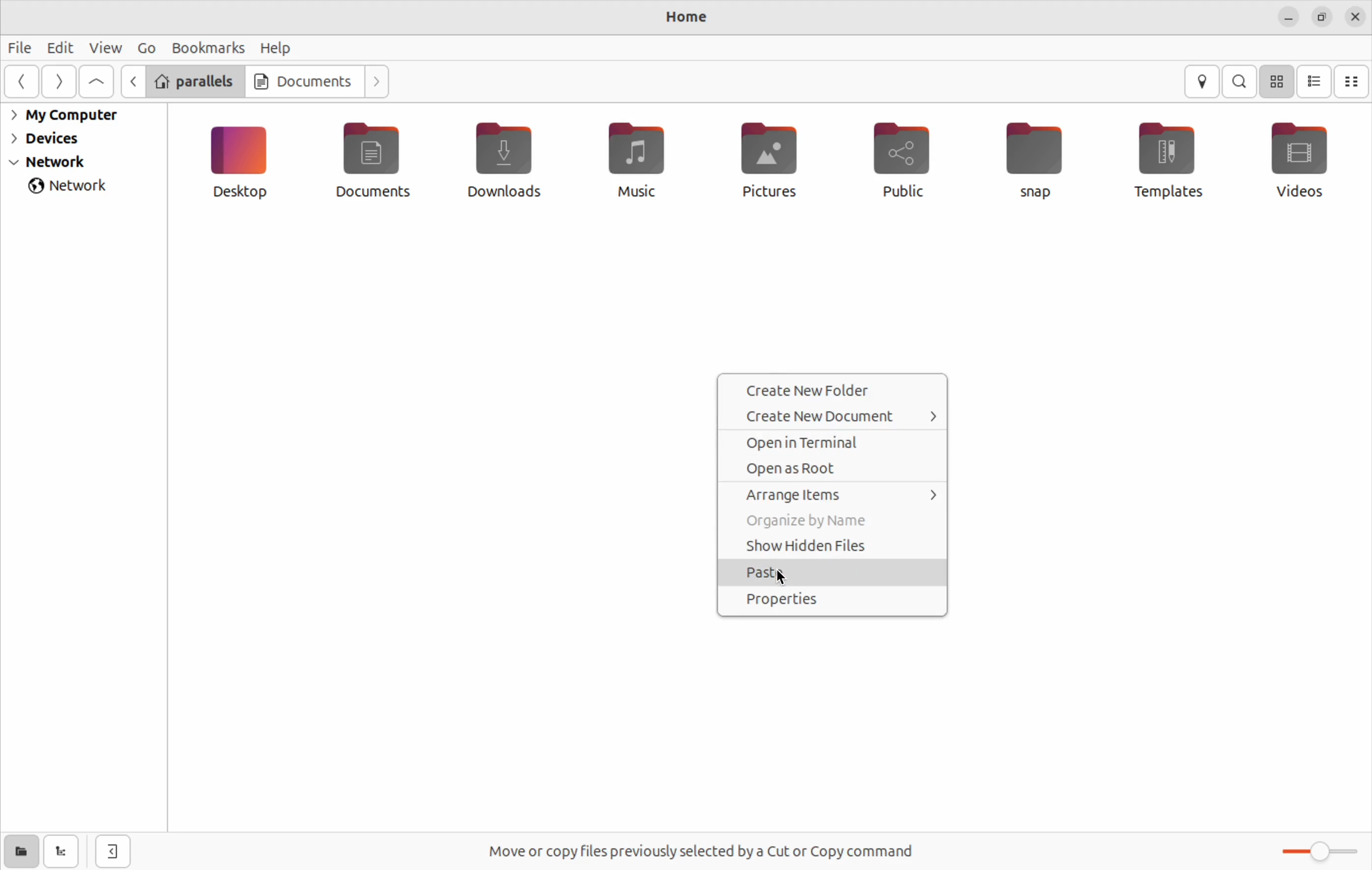 Image resolution: width=1372 pixels, height=870 pixels. What do you see at coordinates (789, 579) in the screenshot?
I see `cursor` at bounding box center [789, 579].